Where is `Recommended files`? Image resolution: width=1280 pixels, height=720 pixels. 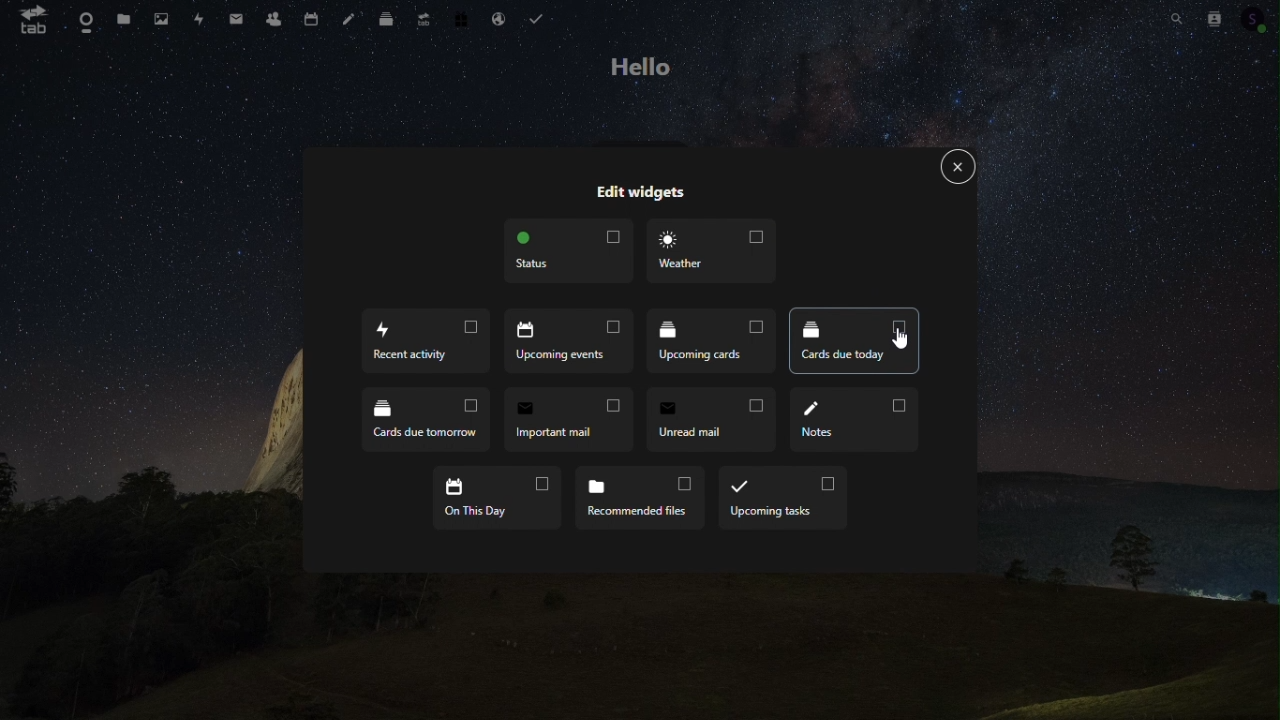 Recommended files is located at coordinates (641, 500).